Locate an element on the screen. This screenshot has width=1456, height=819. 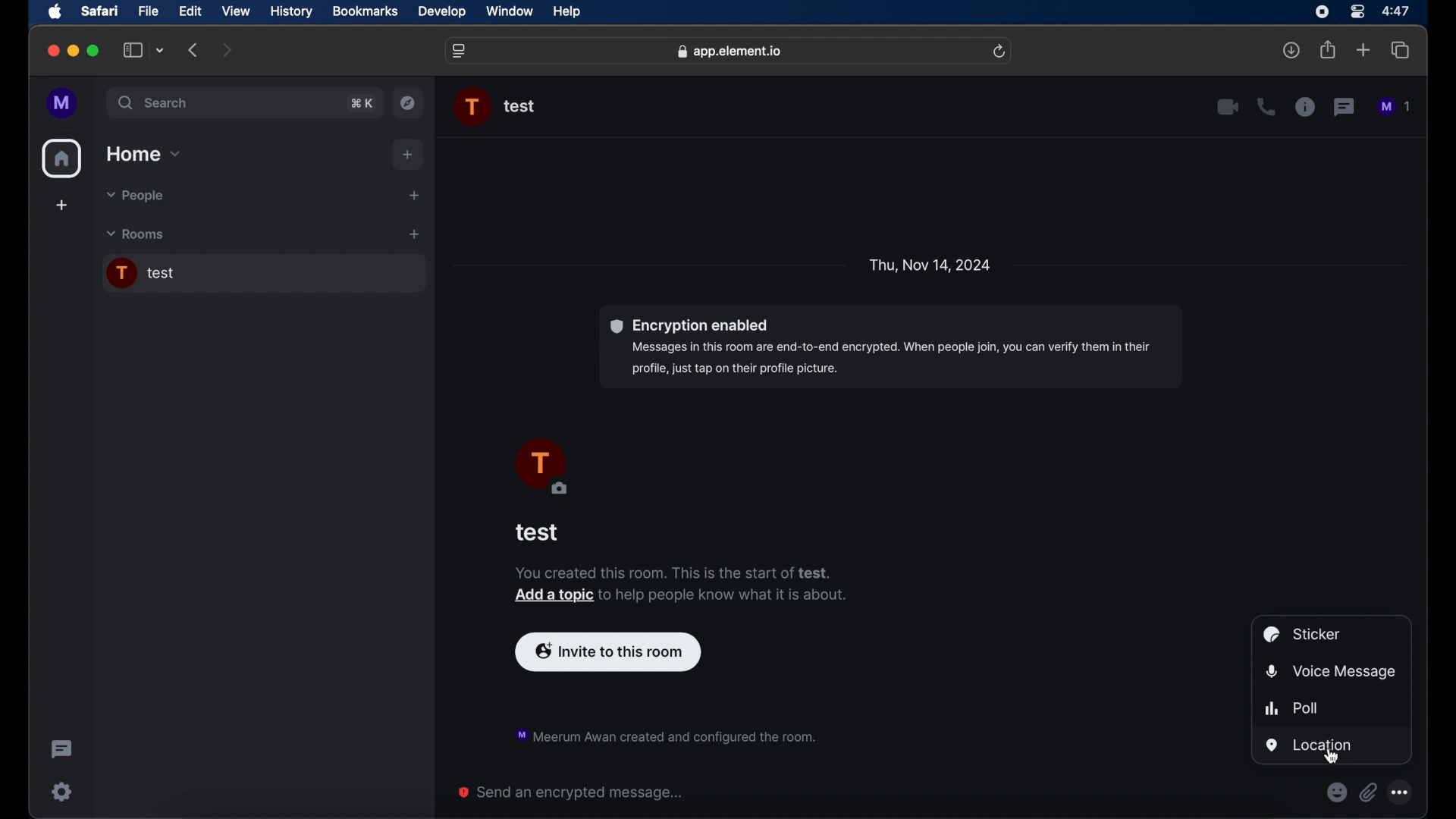
minimize is located at coordinates (73, 51).